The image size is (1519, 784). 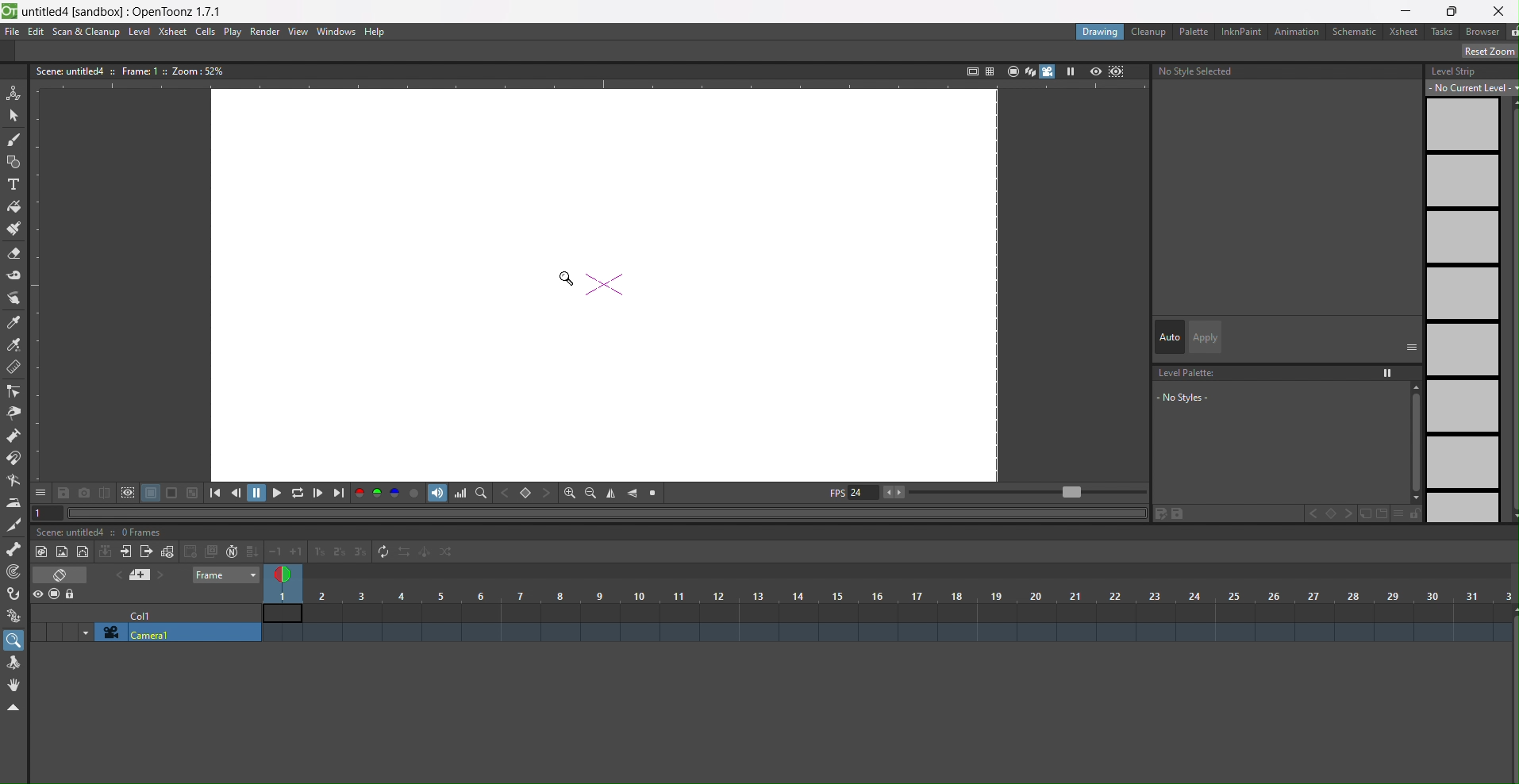 What do you see at coordinates (87, 33) in the screenshot?
I see `scan&cleanup` at bounding box center [87, 33].